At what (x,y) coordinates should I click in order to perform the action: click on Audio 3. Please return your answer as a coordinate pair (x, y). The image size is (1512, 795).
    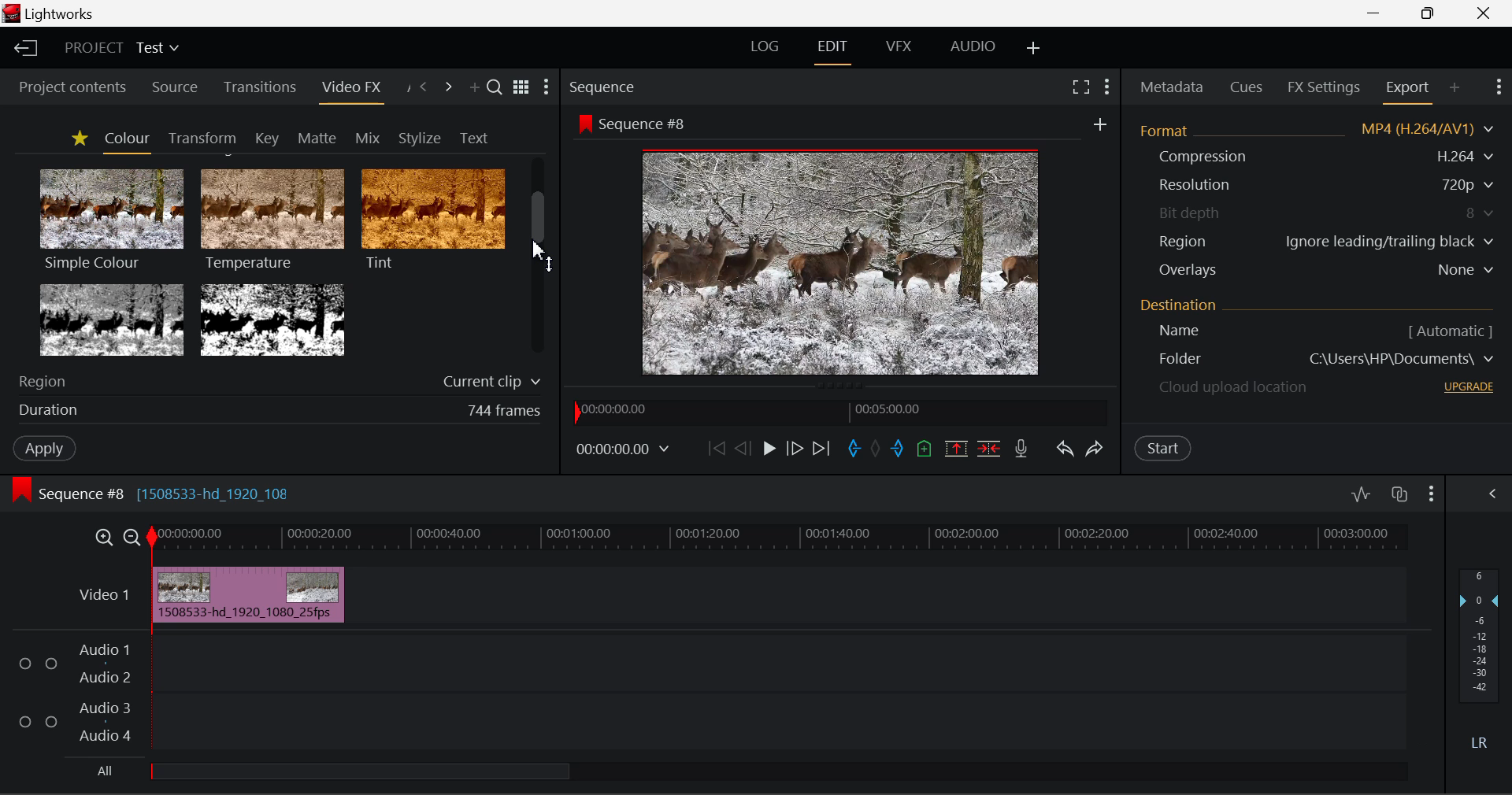
    Looking at the image, I should click on (102, 708).